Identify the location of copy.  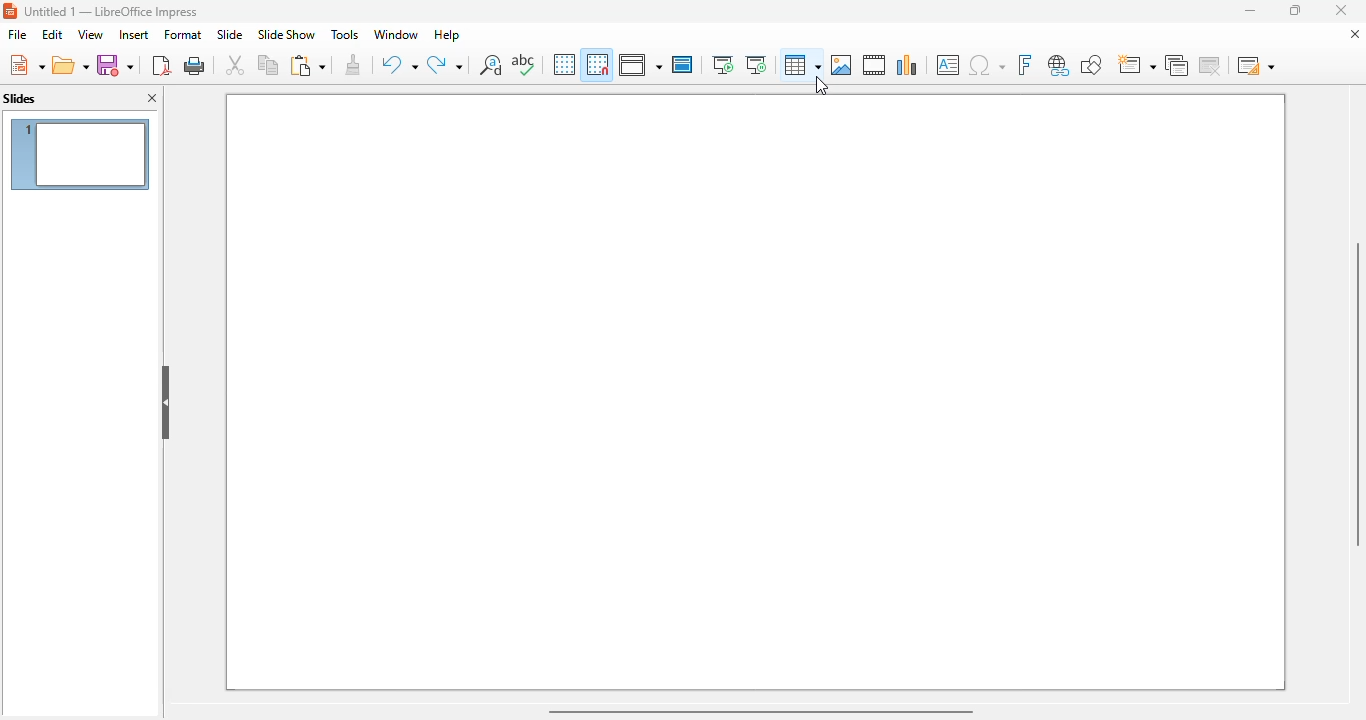
(268, 64).